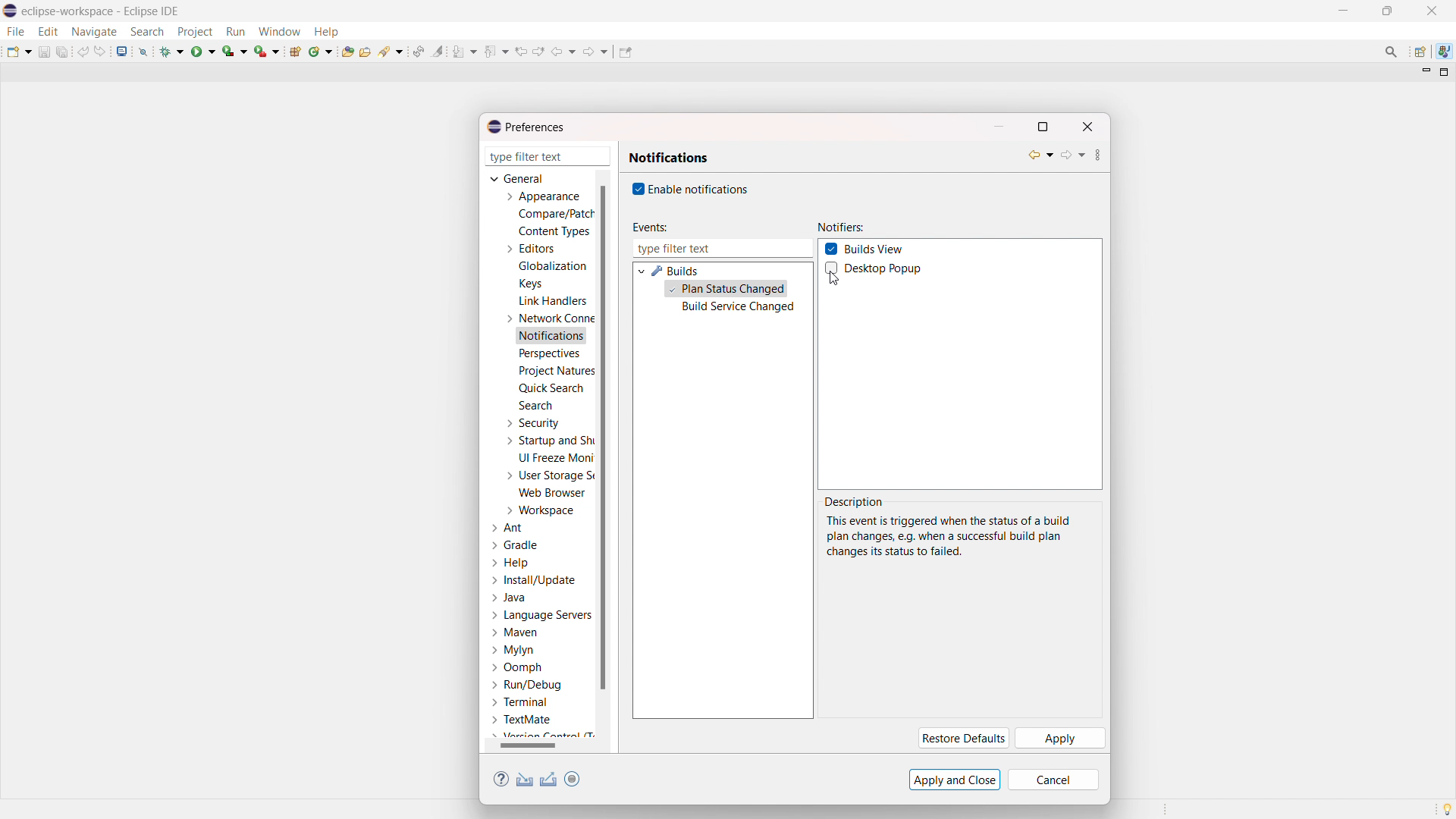  I want to click on notifications, so click(552, 337).